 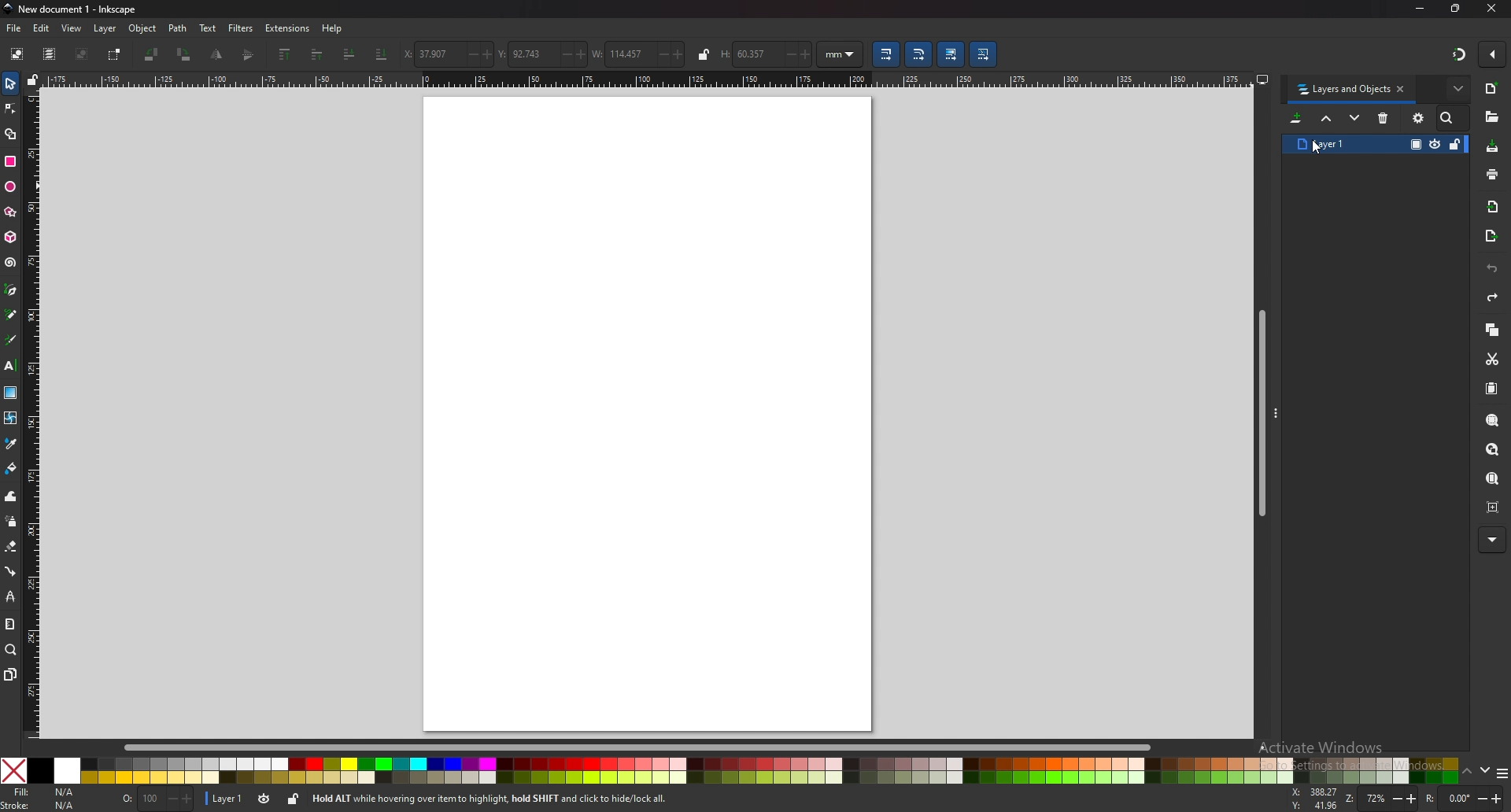 I want to click on print, so click(x=1492, y=175).